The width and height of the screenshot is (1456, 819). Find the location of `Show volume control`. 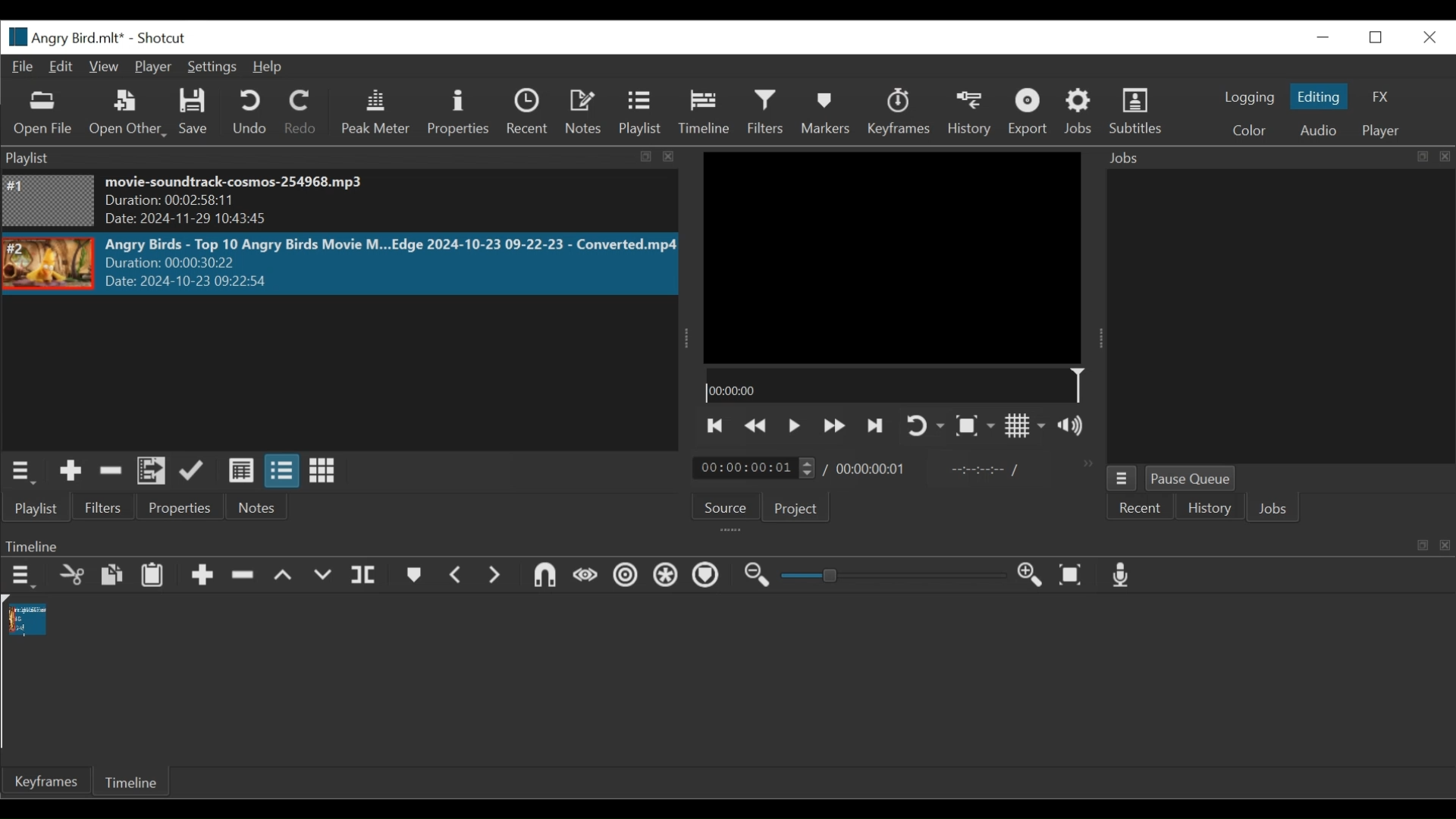

Show volume control is located at coordinates (1075, 428).